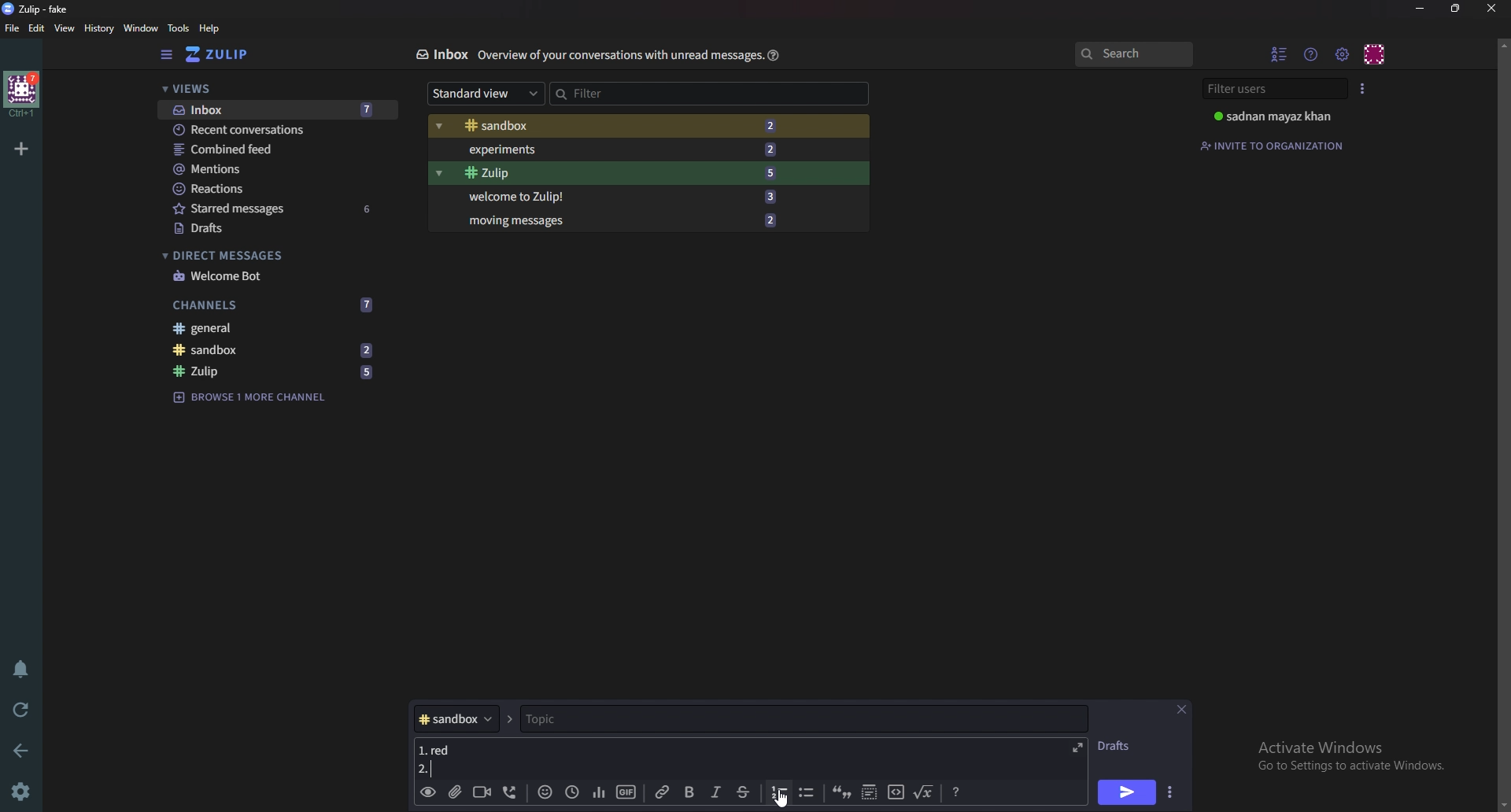 This screenshot has height=812, width=1511. Describe the element at coordinates (453, 793) in the screenshot. I see `Add a file` at that location.